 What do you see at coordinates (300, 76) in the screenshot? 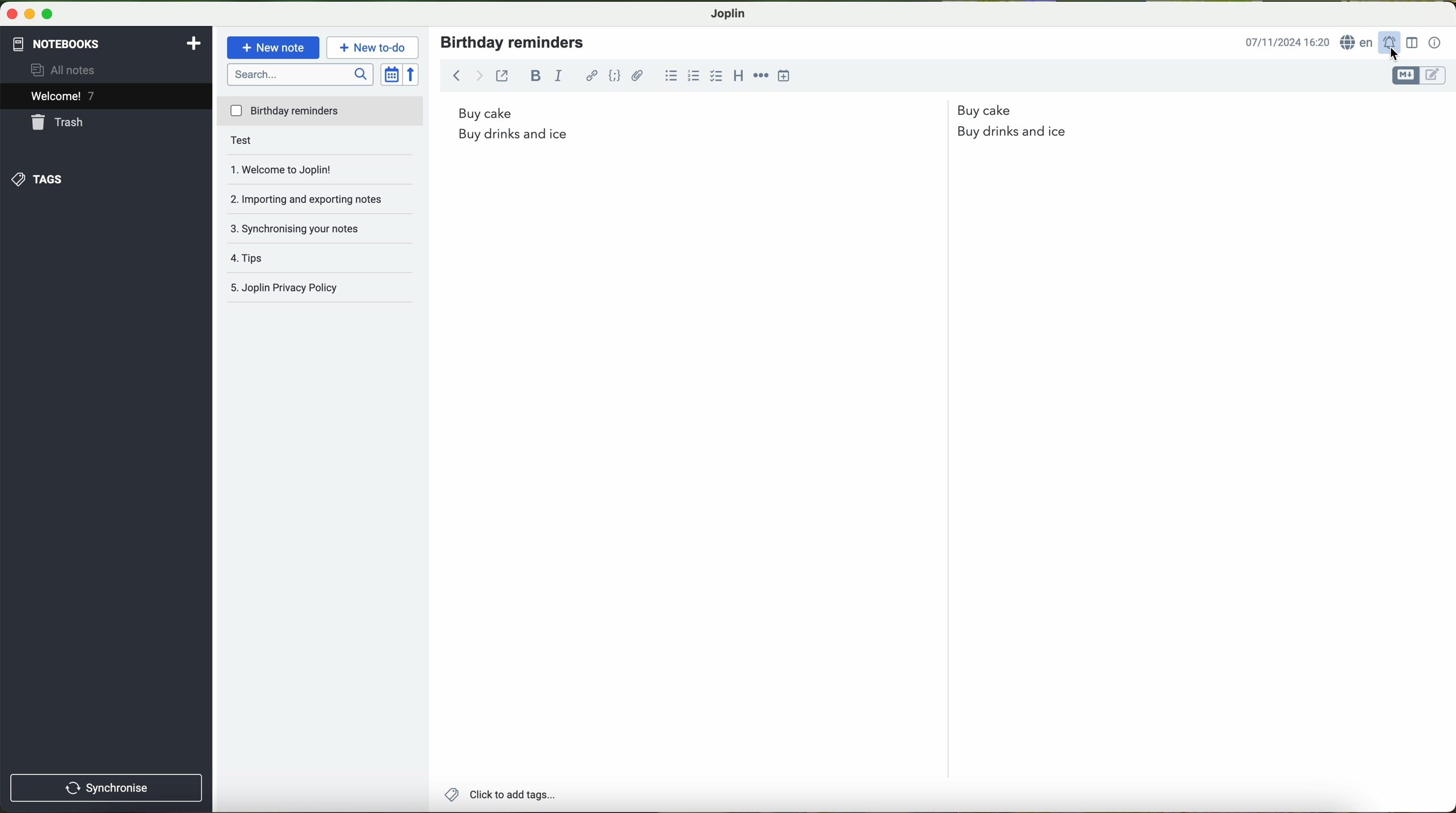
I see `search bar` at bounding box center [300, 76].